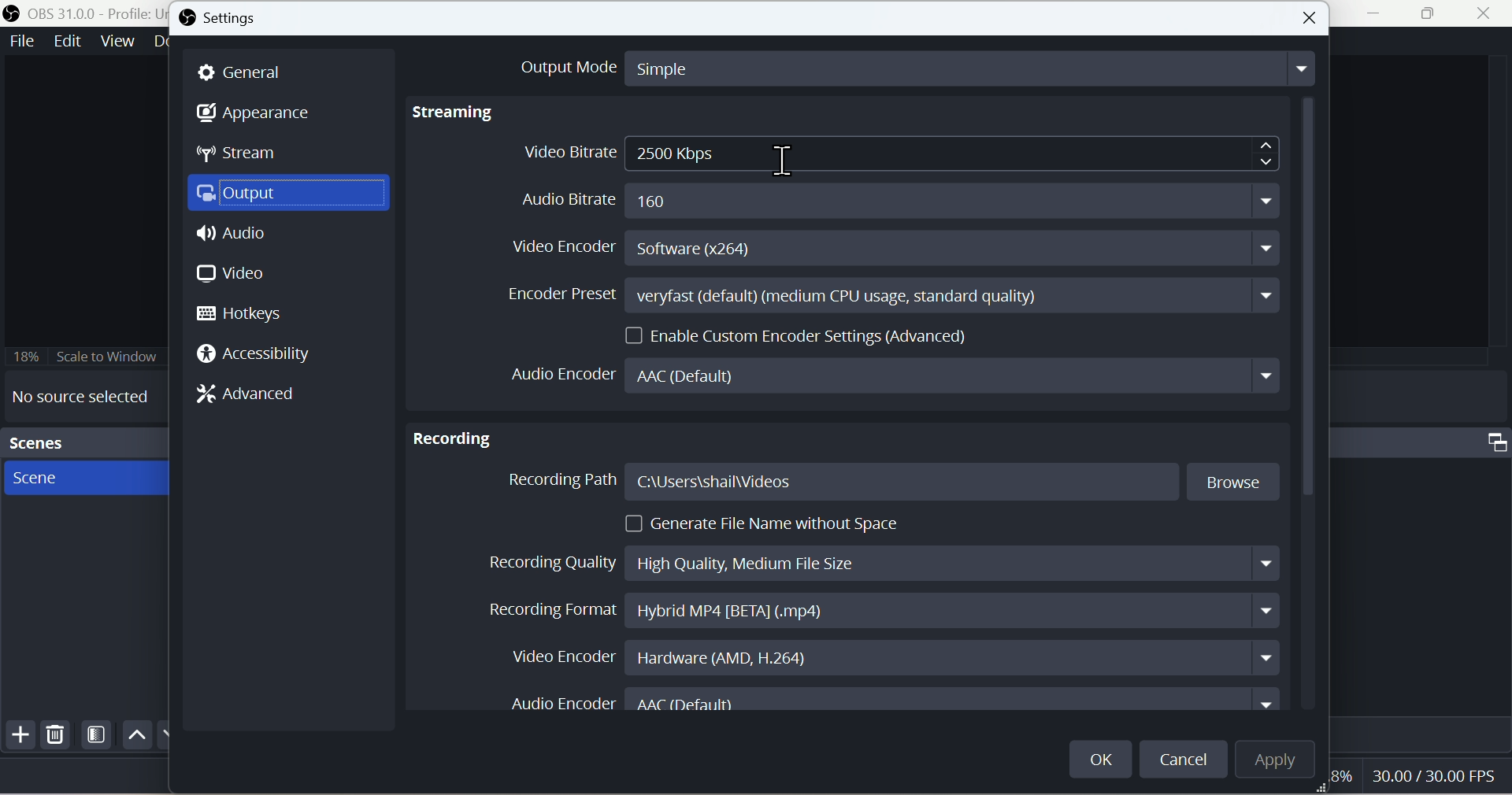 The image size is (1512, 795). I want to click on Recording Path, so click(894, 483).